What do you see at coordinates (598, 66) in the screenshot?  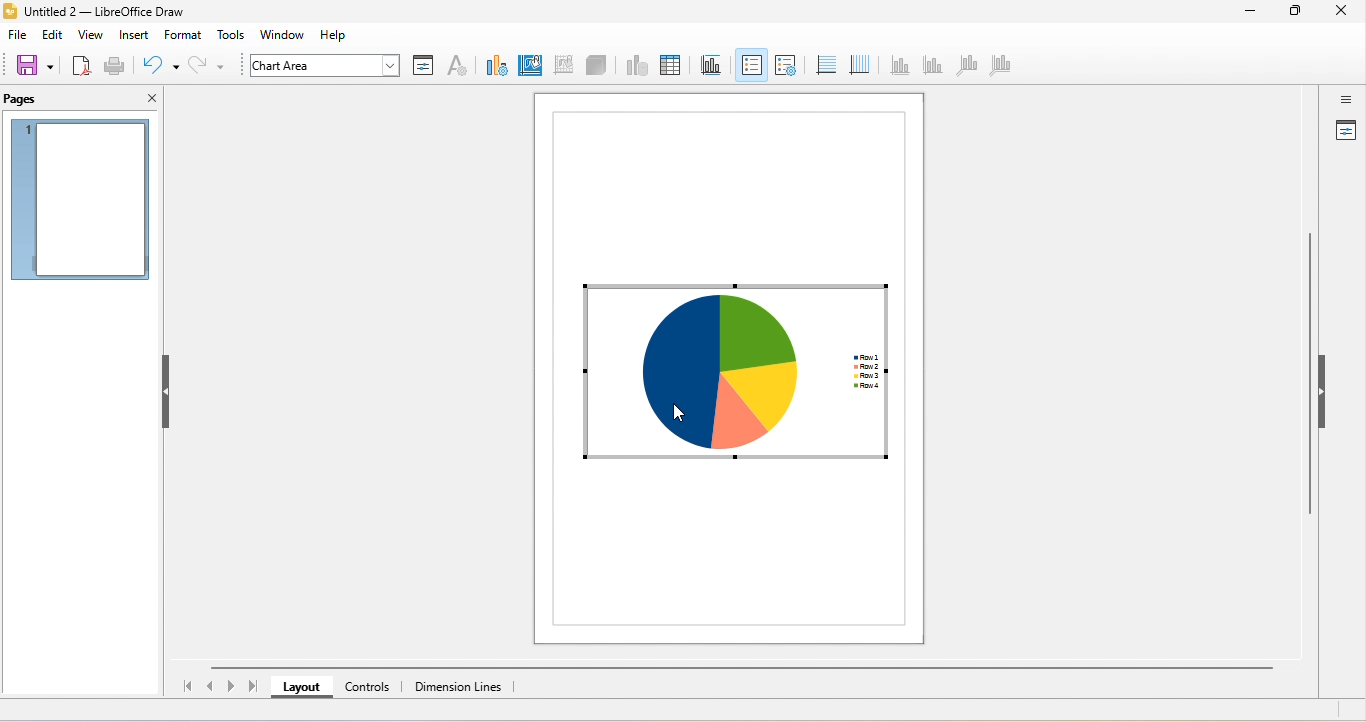 I see `3D view` at bounding box center [598, 66].